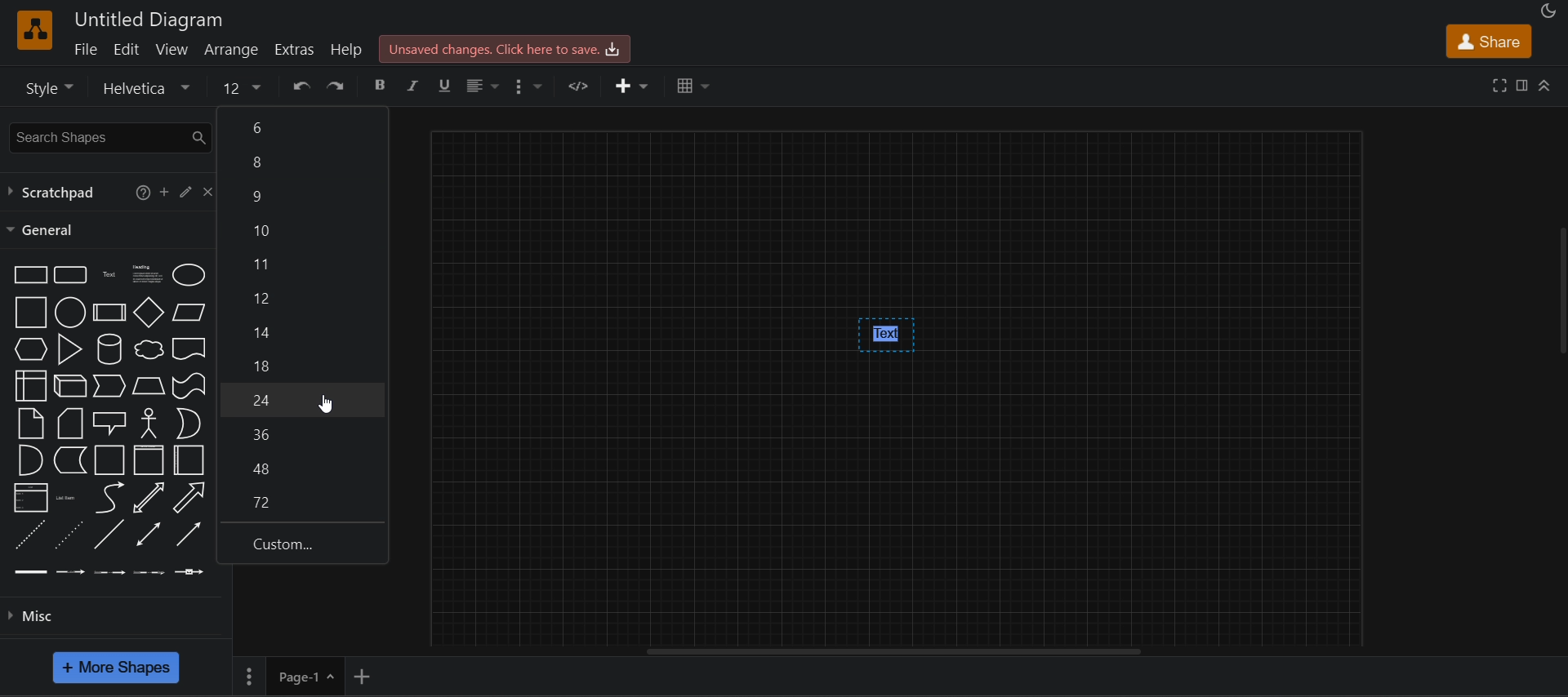 This screenshot has width=1568, height=697. Describe the element at coordinates (209, 192) in the screenshot. I see `close` at that location.